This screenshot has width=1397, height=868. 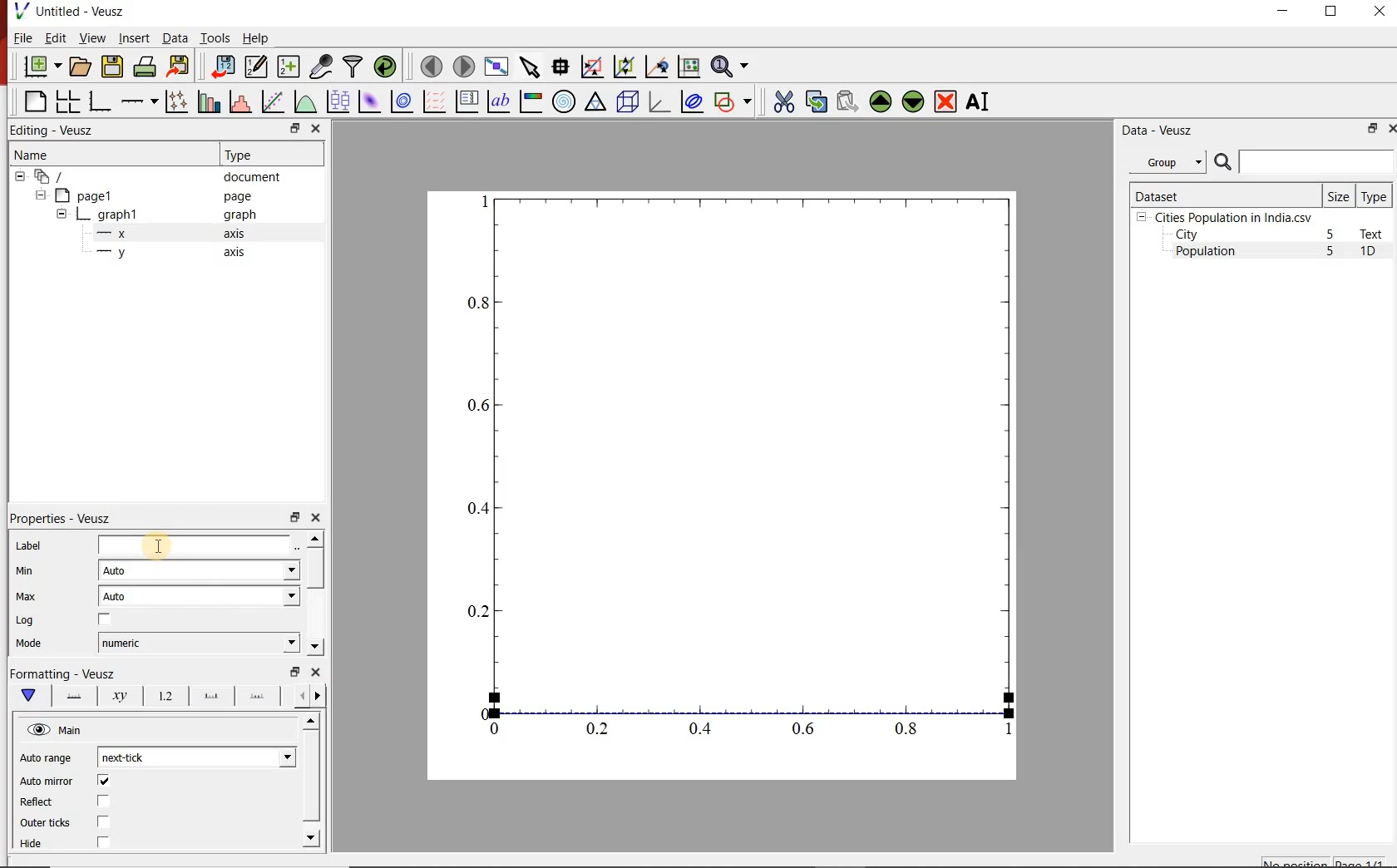 I want to click on Add an axis to the plot, so click(x=139, y=99).